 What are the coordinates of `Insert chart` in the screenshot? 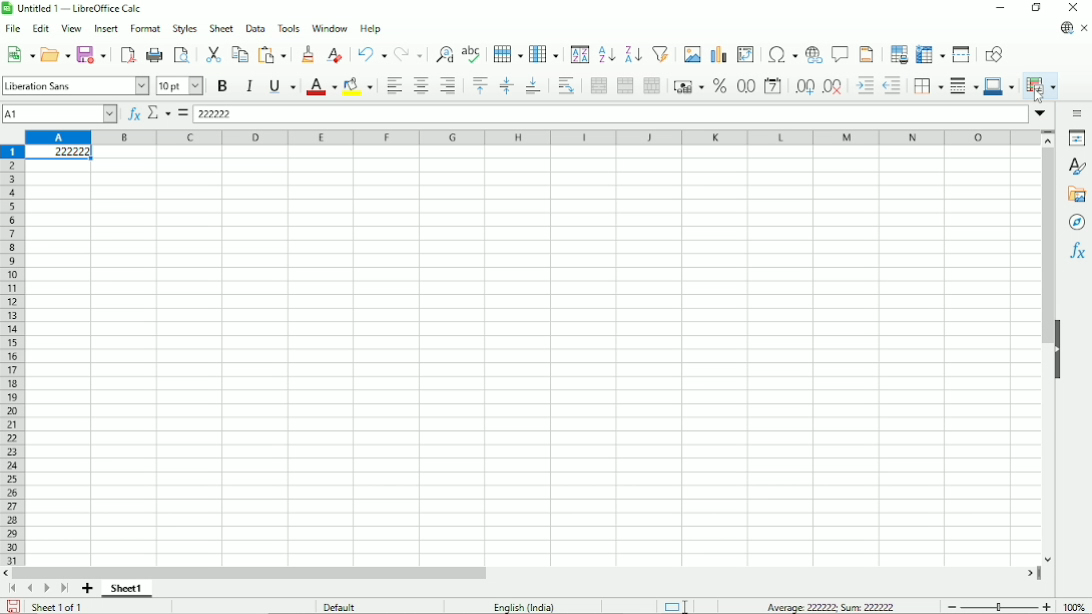 It's located at (720, 52).